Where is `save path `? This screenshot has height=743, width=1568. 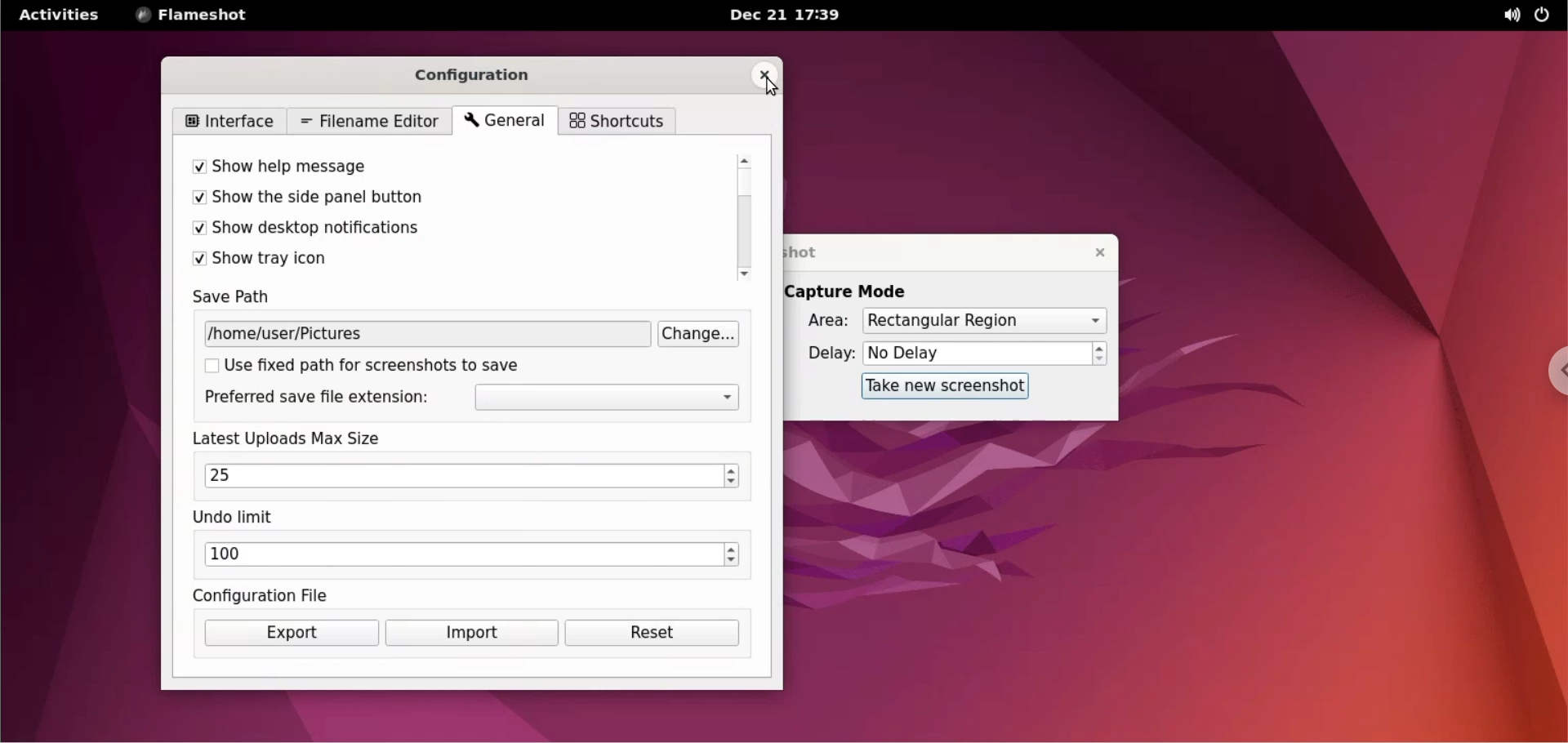 save path  is located at coordinates (246, 299).